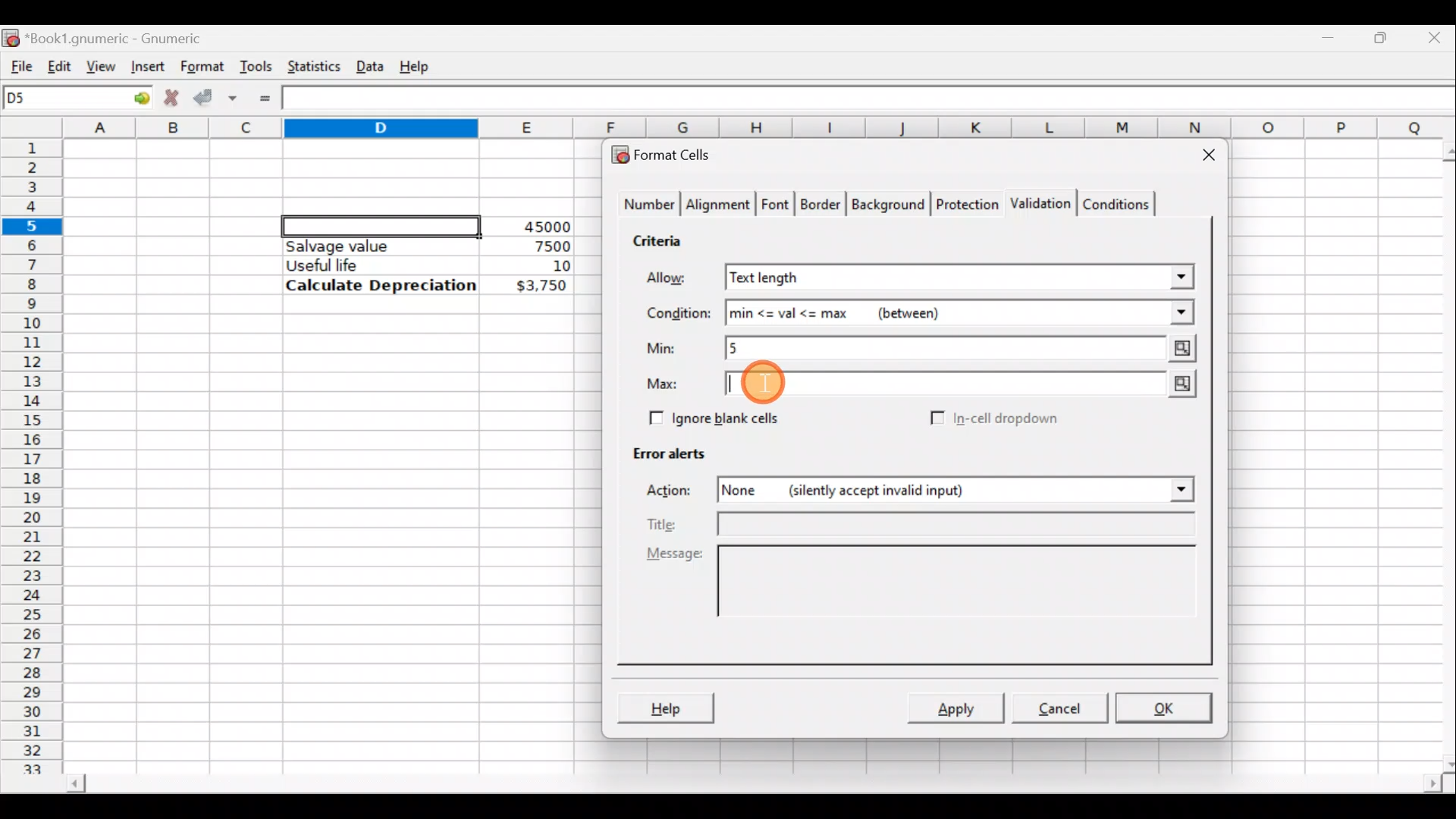 The image size is (1456, 819). I want to click on Font, so click(777, 206).